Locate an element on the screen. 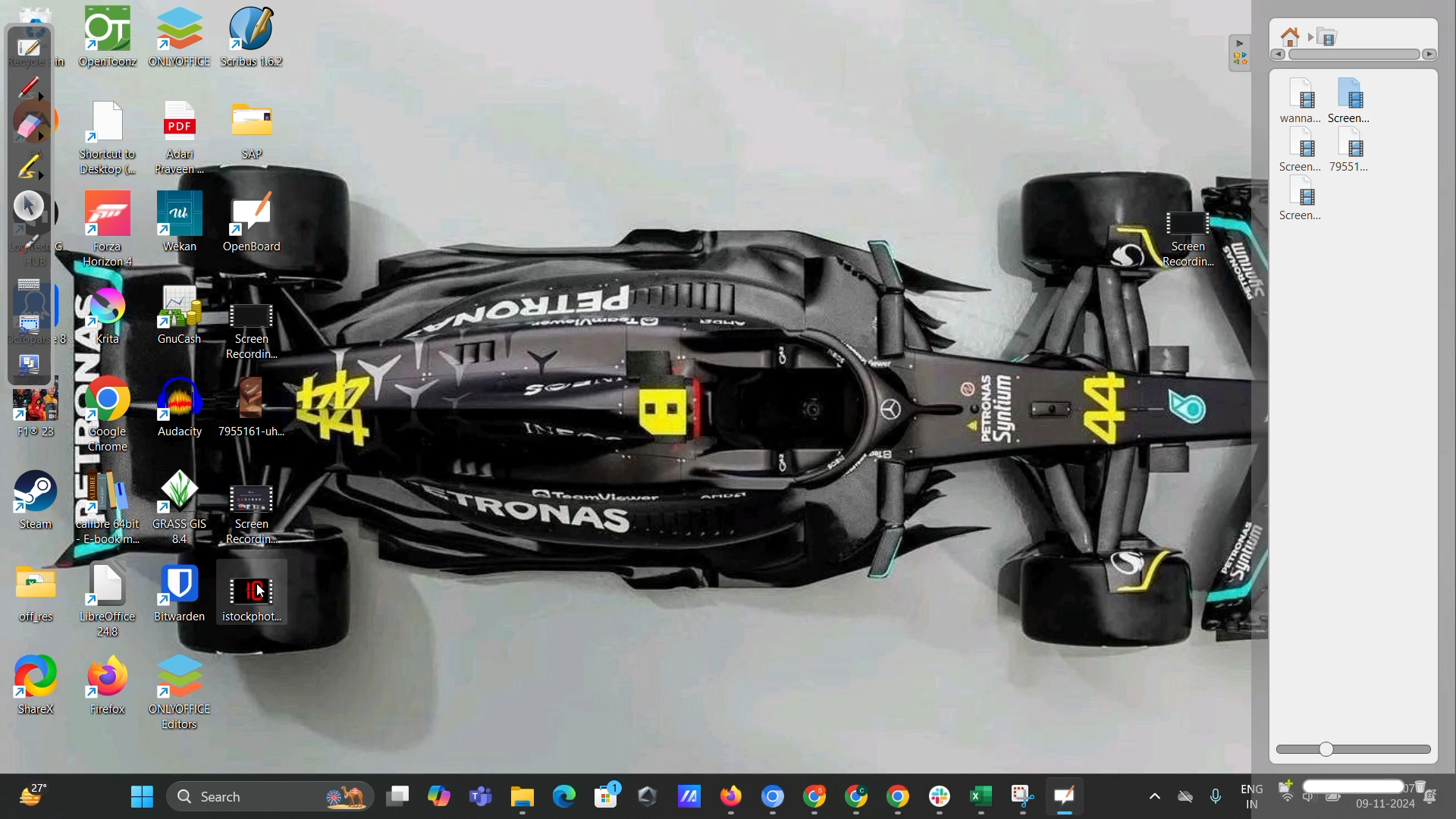  minimized google chrome is located at coordinates (900, 797).